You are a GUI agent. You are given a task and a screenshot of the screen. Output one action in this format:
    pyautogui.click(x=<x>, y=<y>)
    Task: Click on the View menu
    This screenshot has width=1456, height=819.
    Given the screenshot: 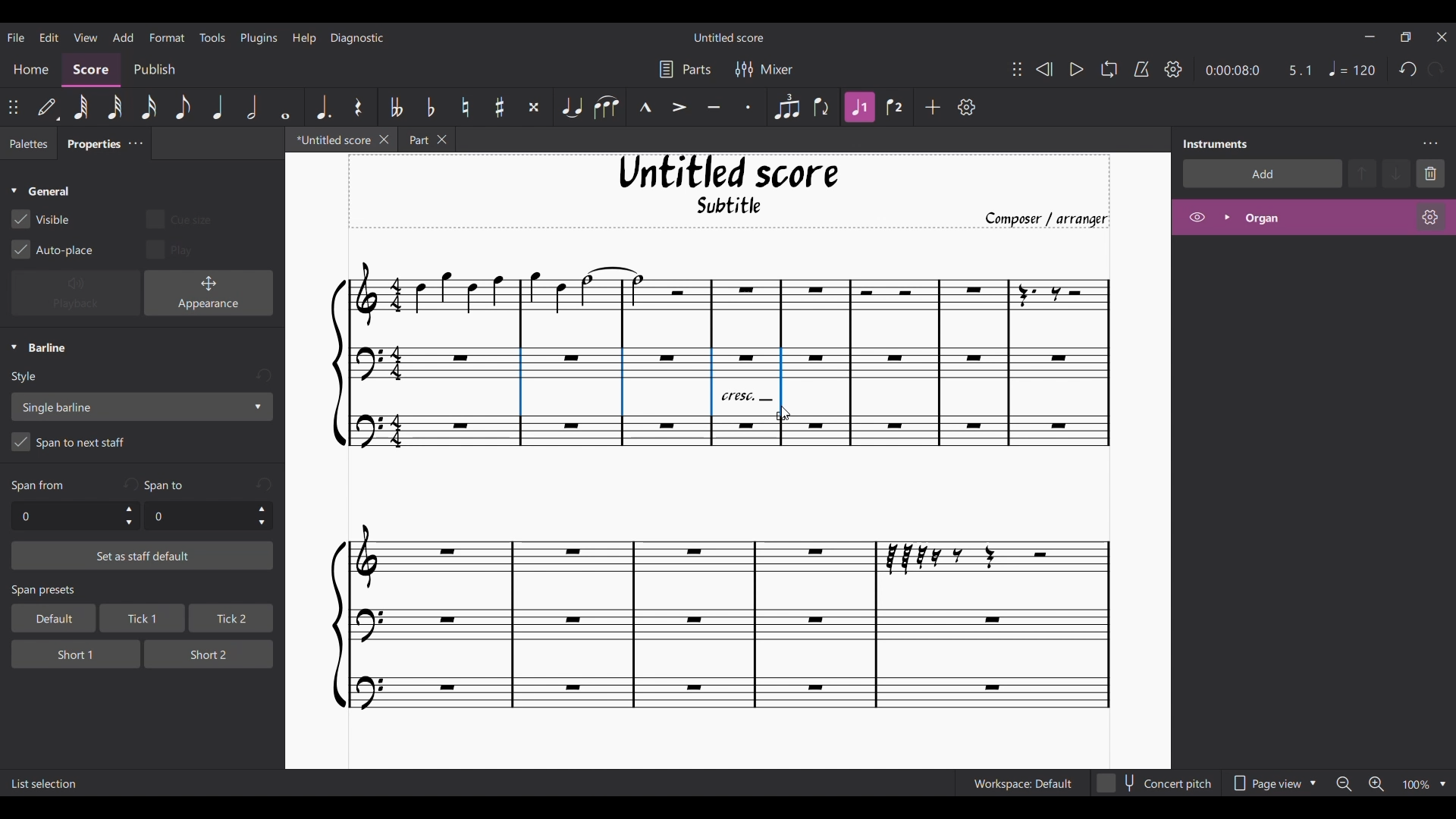 What is the action you would take?
    pyautogui.click(x=85, y=36)
    